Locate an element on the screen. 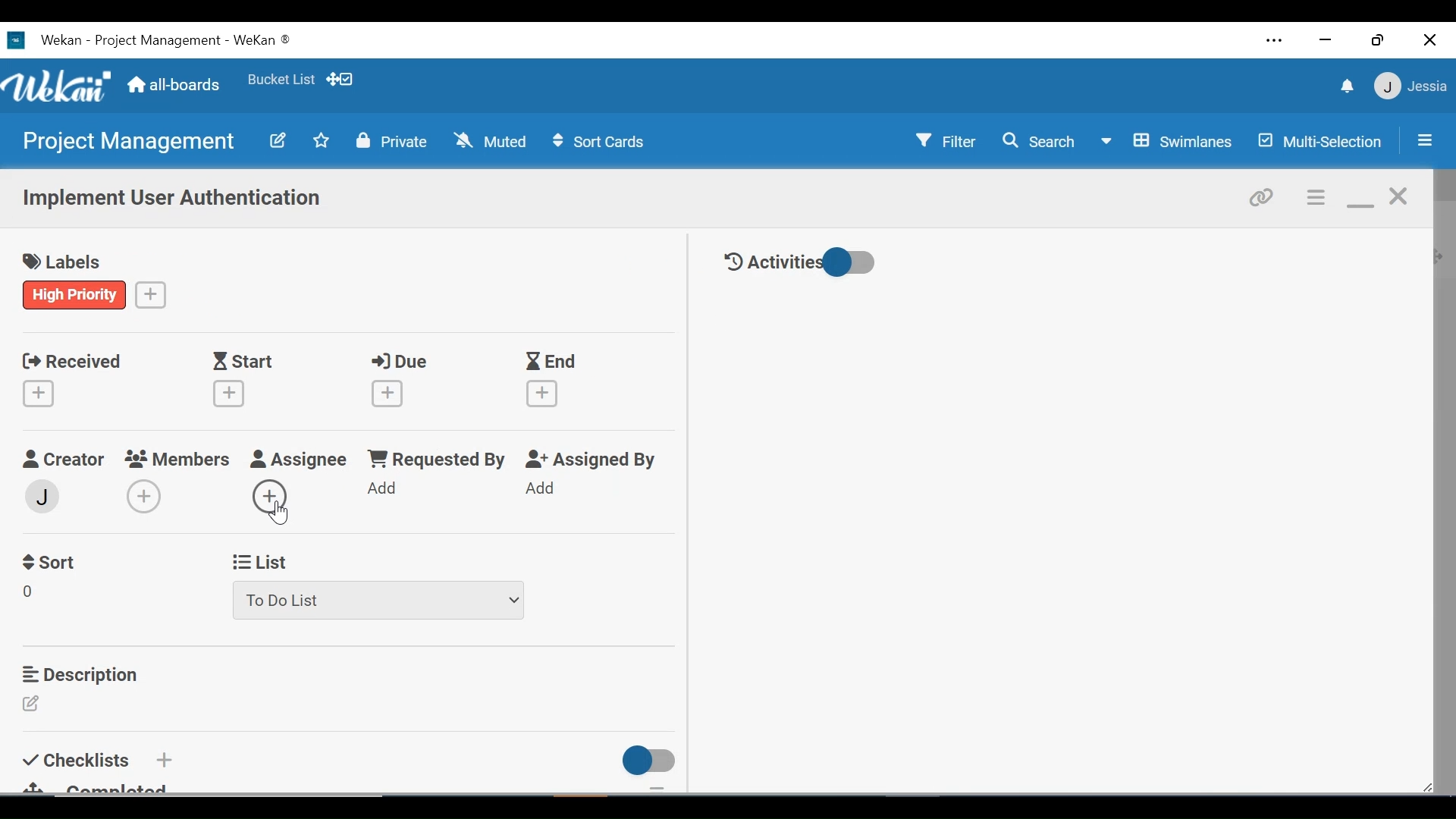 The width and height of the screenshot is (1456, 819). Edit is located at coordinates (277, 140).